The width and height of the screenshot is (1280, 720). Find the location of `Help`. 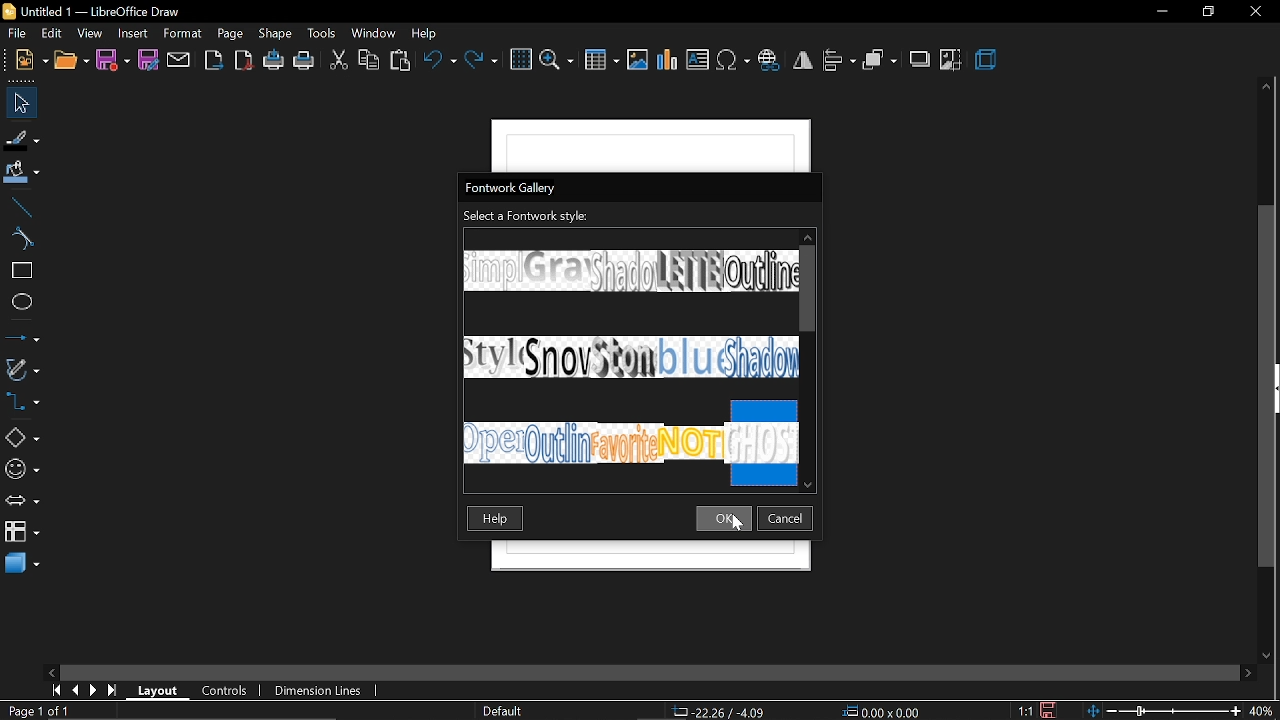

Help is located at coordinates (496, 519).